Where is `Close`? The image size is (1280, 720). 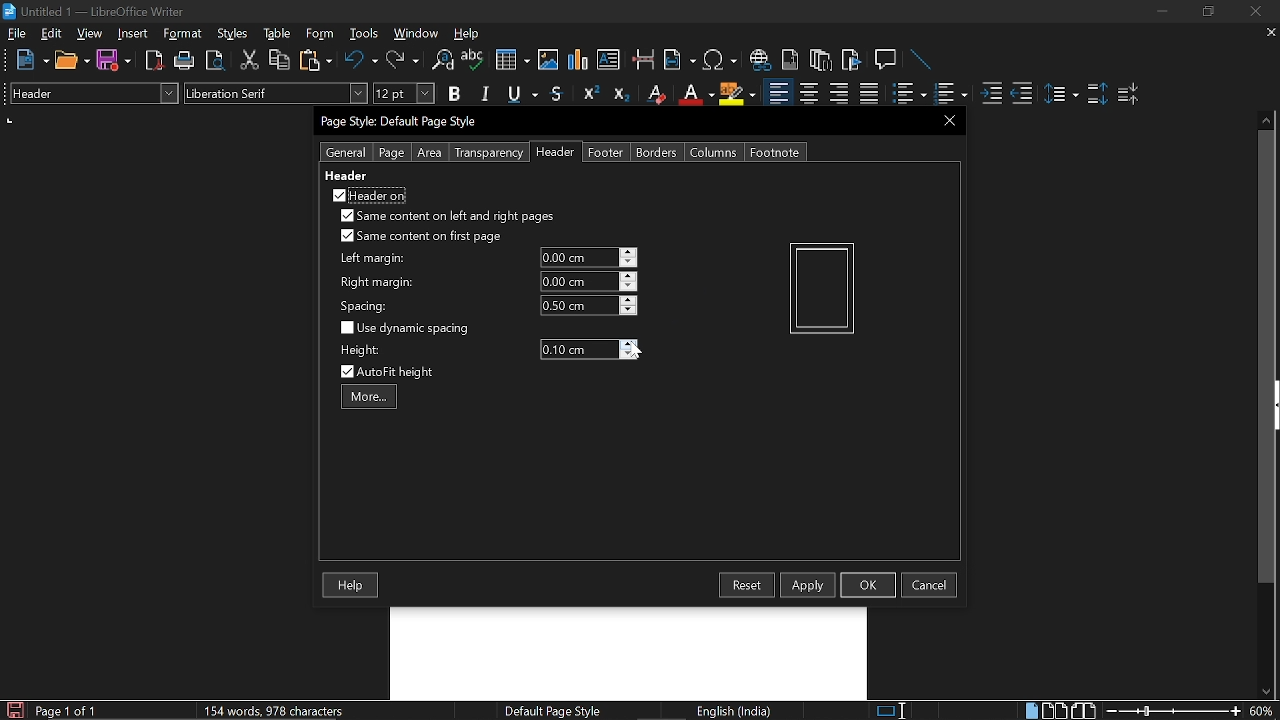
Close is located at coordinates (1254, 12).